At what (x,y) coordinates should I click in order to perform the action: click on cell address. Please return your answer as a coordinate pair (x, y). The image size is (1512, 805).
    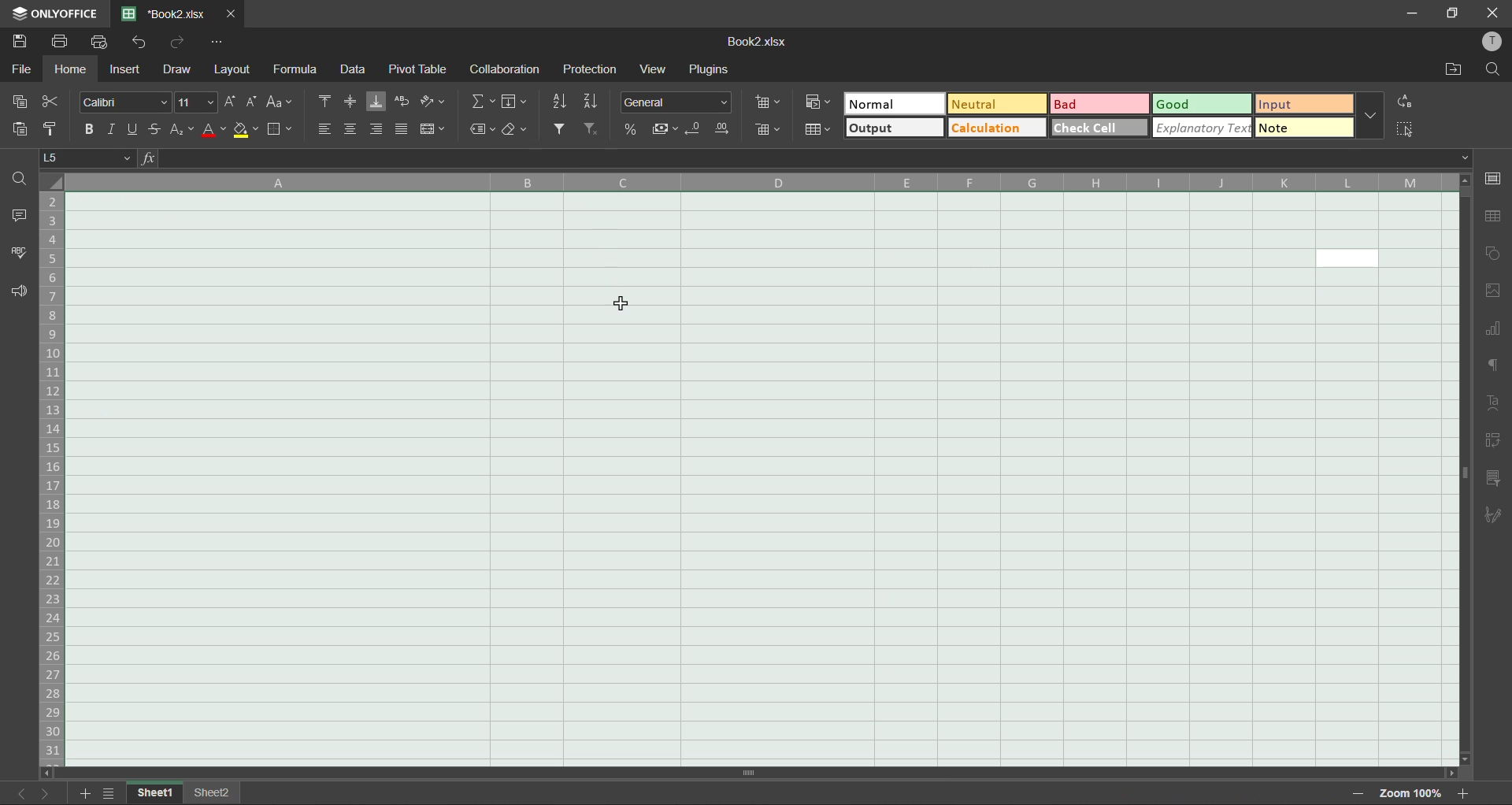
    Looking at the image, I should click on (91, 158).